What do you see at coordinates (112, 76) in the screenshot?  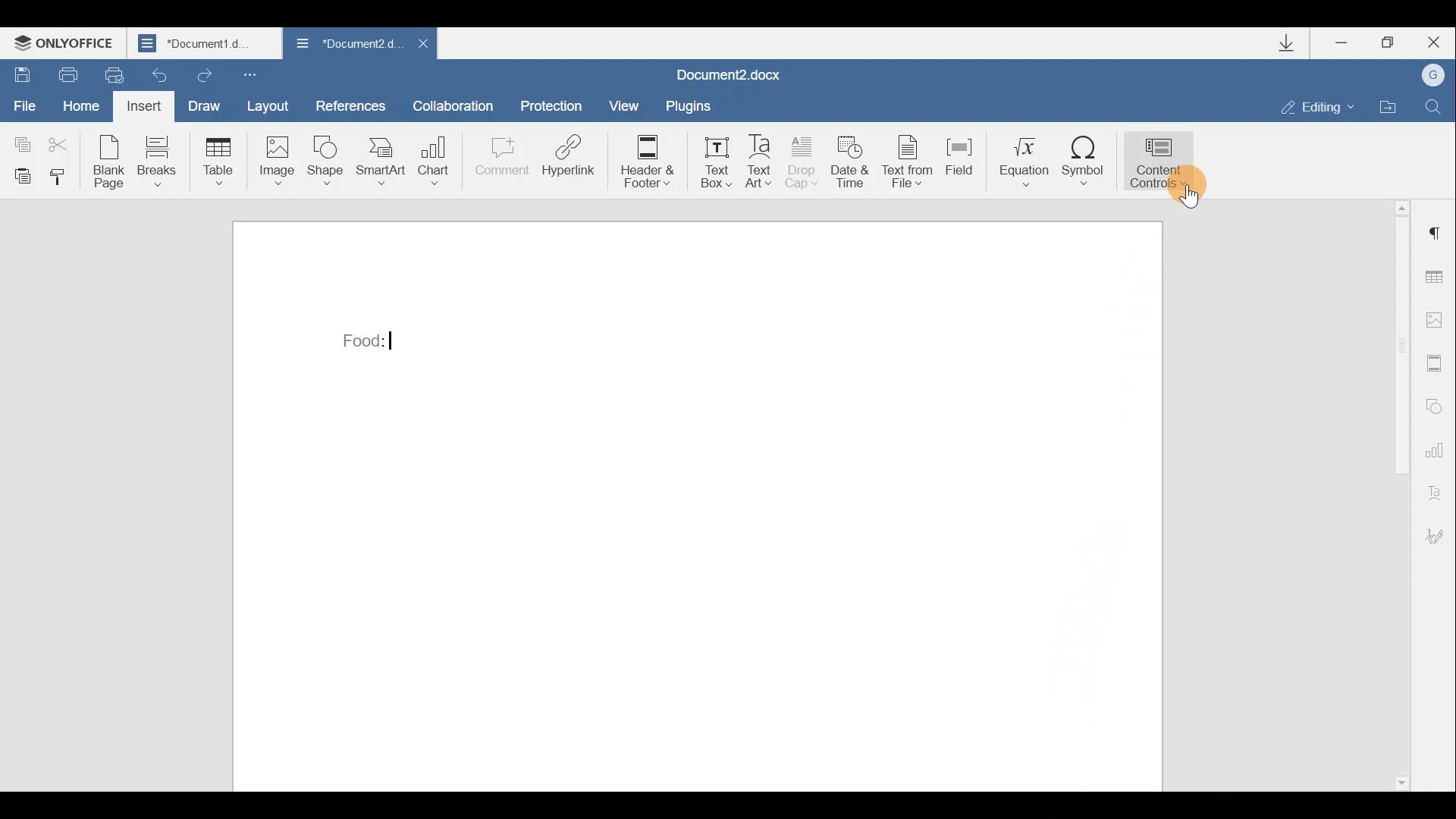 I see `Quick print` at bounding box center [112, 76].